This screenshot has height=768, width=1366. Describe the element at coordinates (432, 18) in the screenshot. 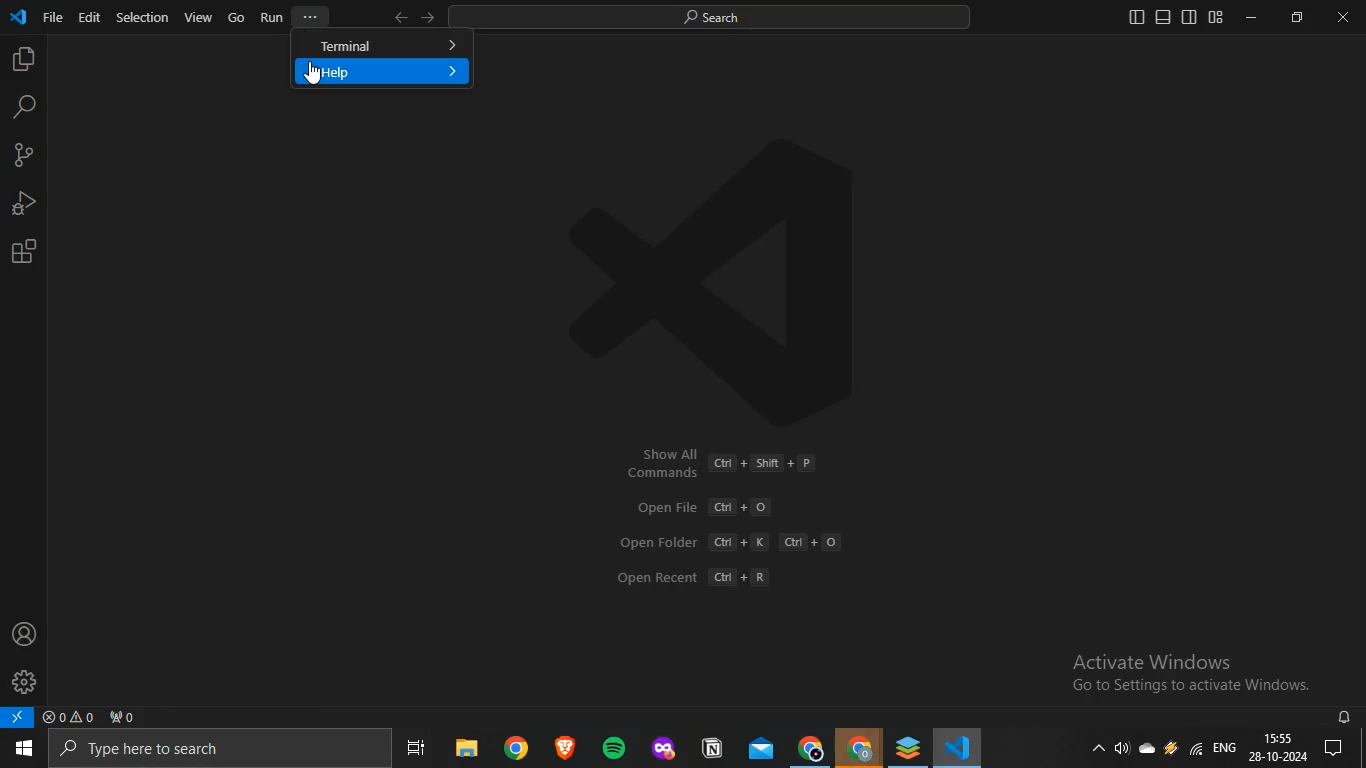

I see `forward` at that location.